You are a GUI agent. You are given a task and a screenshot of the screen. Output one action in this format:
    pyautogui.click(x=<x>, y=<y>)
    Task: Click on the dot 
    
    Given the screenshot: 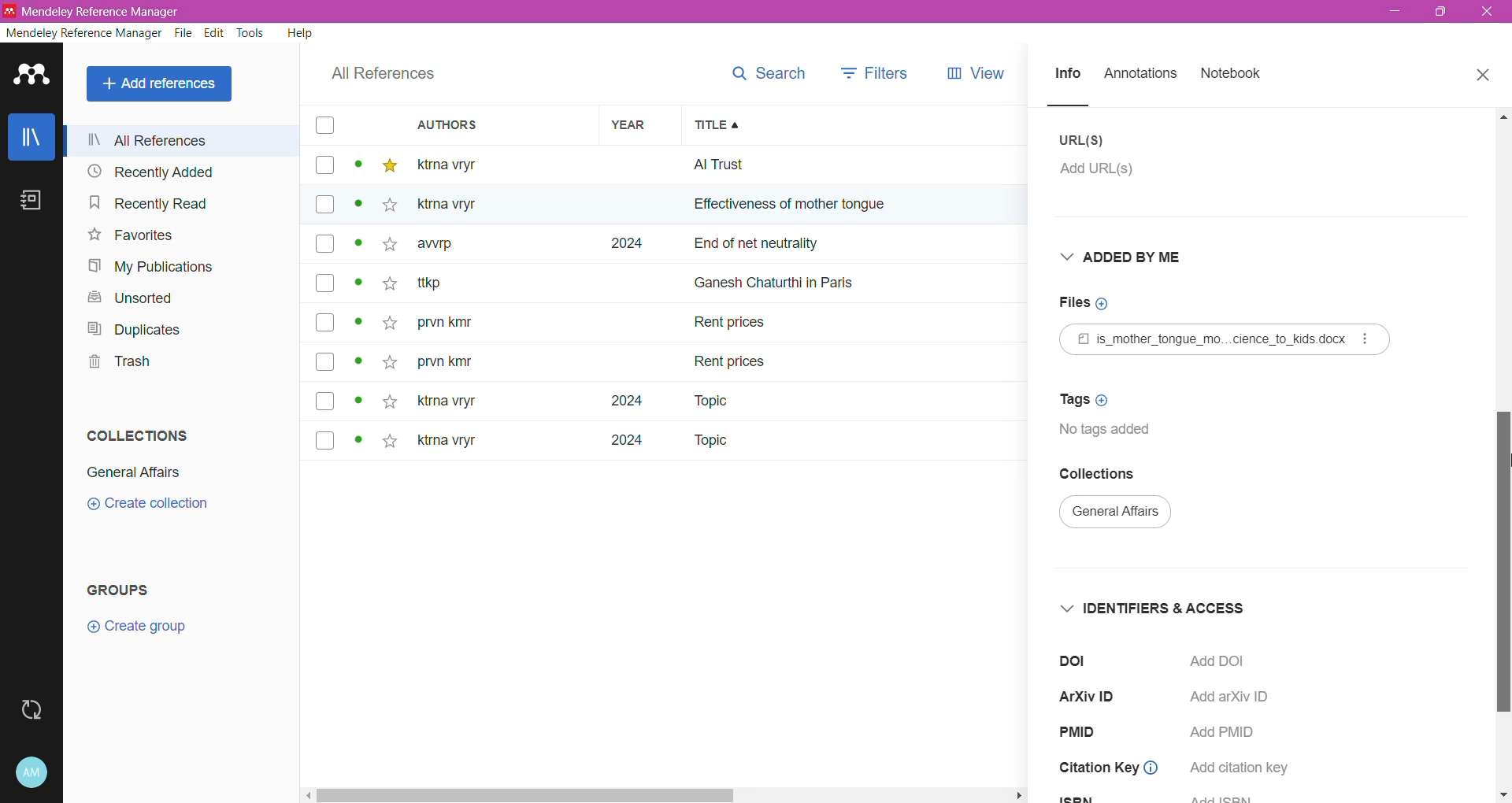 What is the action you would take?
    pyautogui.click(x=360, y=401)
    